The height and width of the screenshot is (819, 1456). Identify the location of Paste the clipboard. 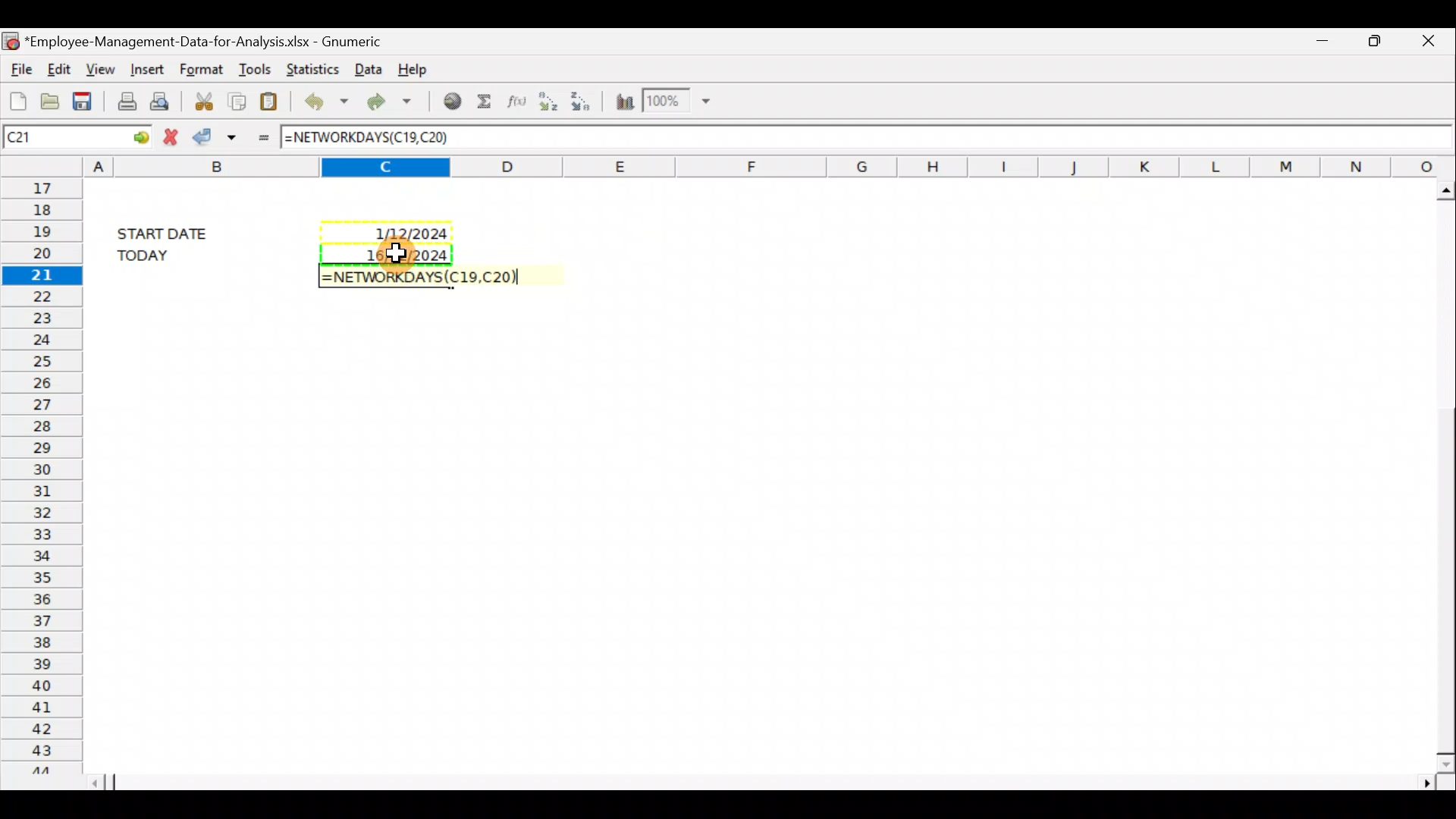
(272, 99).